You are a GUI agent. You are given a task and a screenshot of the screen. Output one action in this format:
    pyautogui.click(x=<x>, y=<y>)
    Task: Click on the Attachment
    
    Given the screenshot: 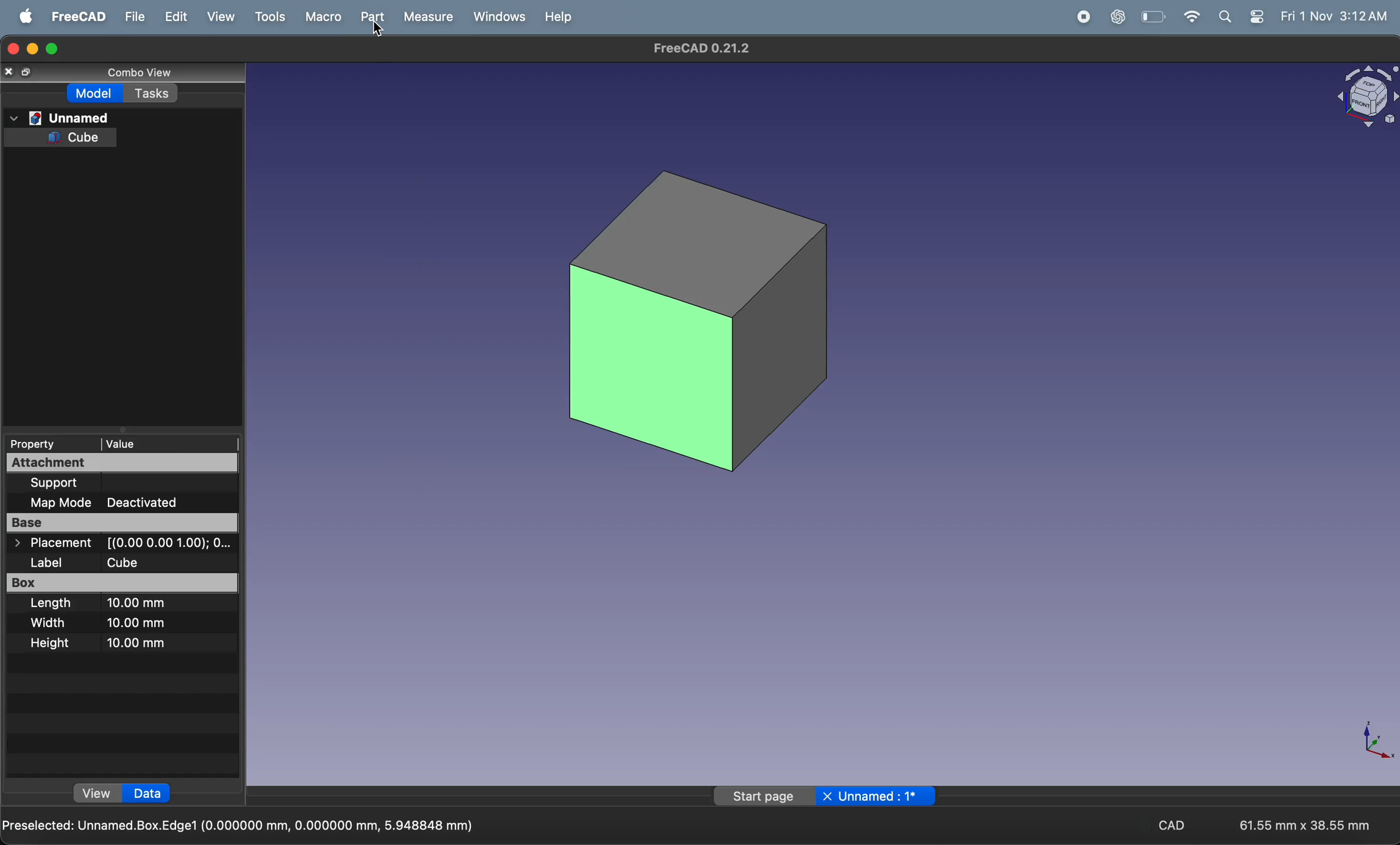 What is the action you would take?
    pyautogui.click(x=120, y=463)
    